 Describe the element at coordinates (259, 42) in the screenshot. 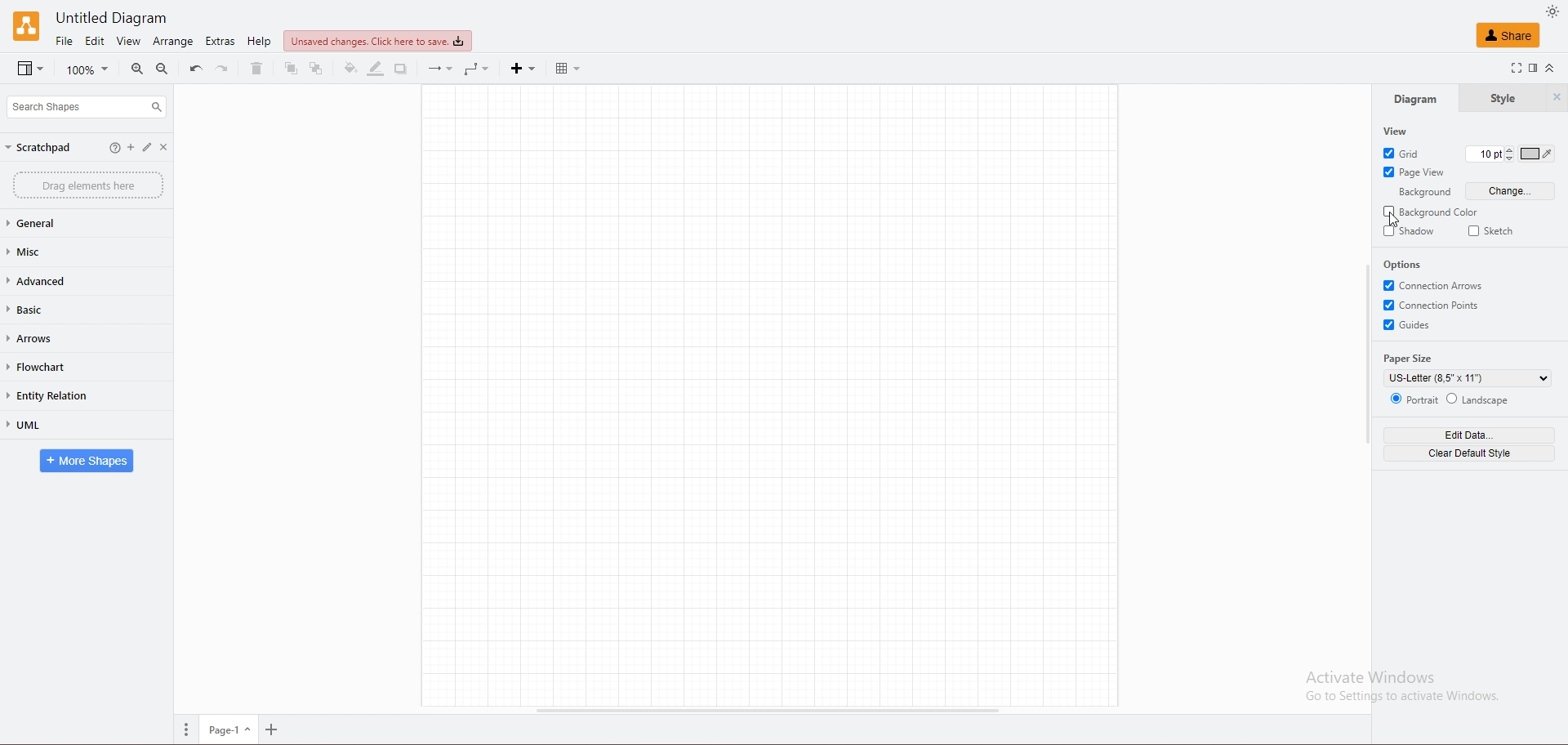

I see `help` at that location.